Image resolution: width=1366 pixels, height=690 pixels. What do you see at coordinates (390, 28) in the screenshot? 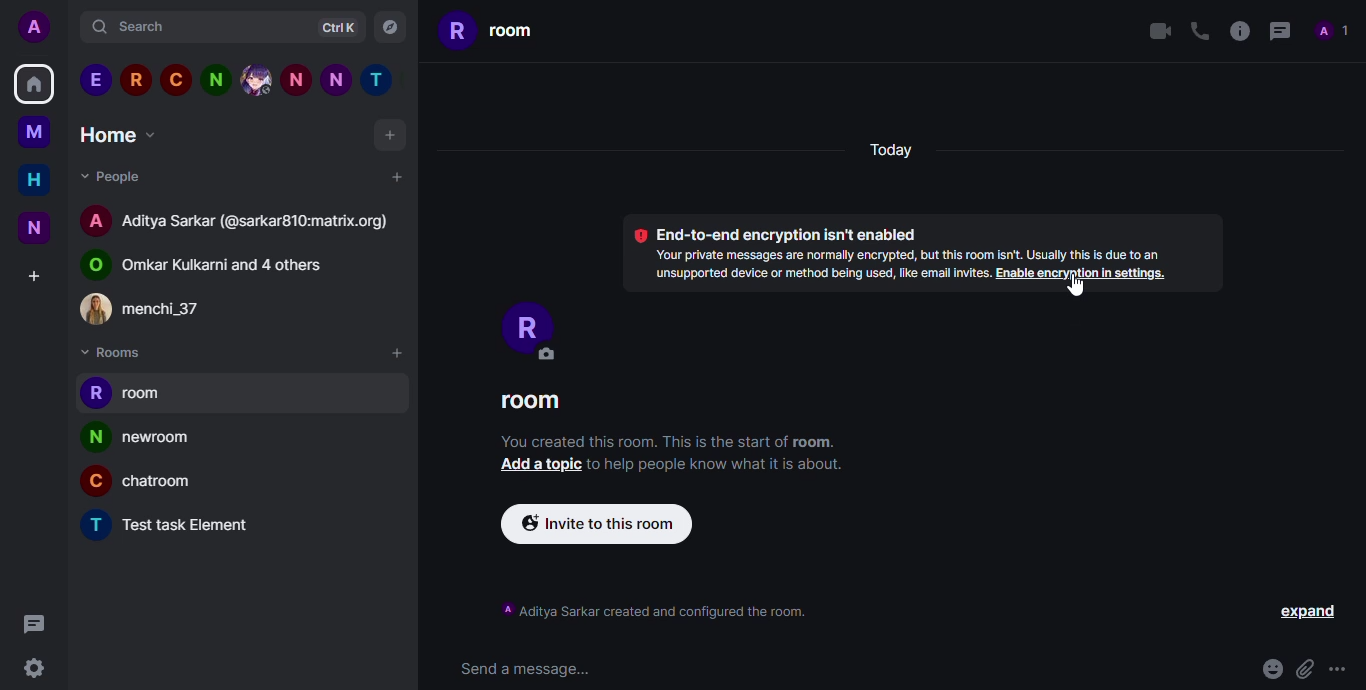
I see `explore rooms` at bounding box center [390, 28].